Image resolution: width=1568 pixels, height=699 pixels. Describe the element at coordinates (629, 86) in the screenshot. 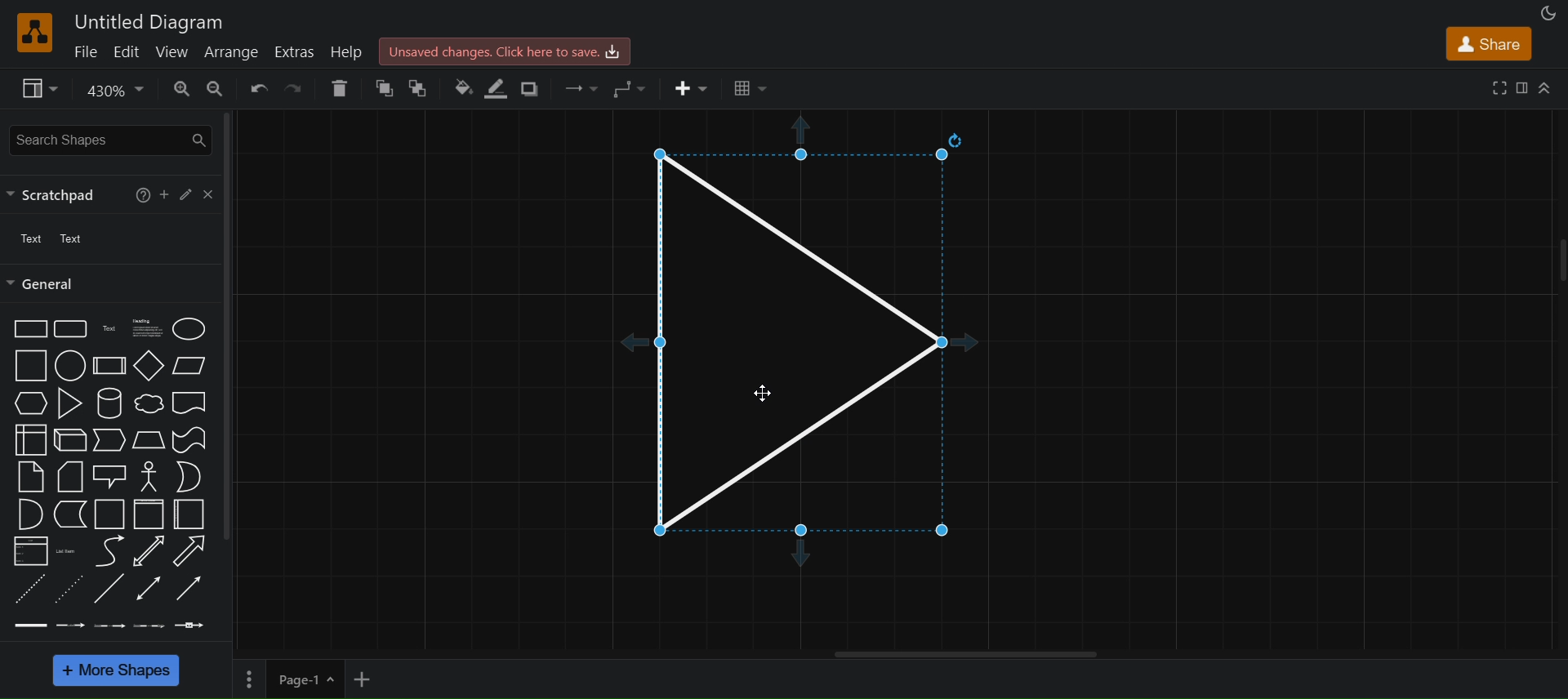

I see `waypoints` at that location.